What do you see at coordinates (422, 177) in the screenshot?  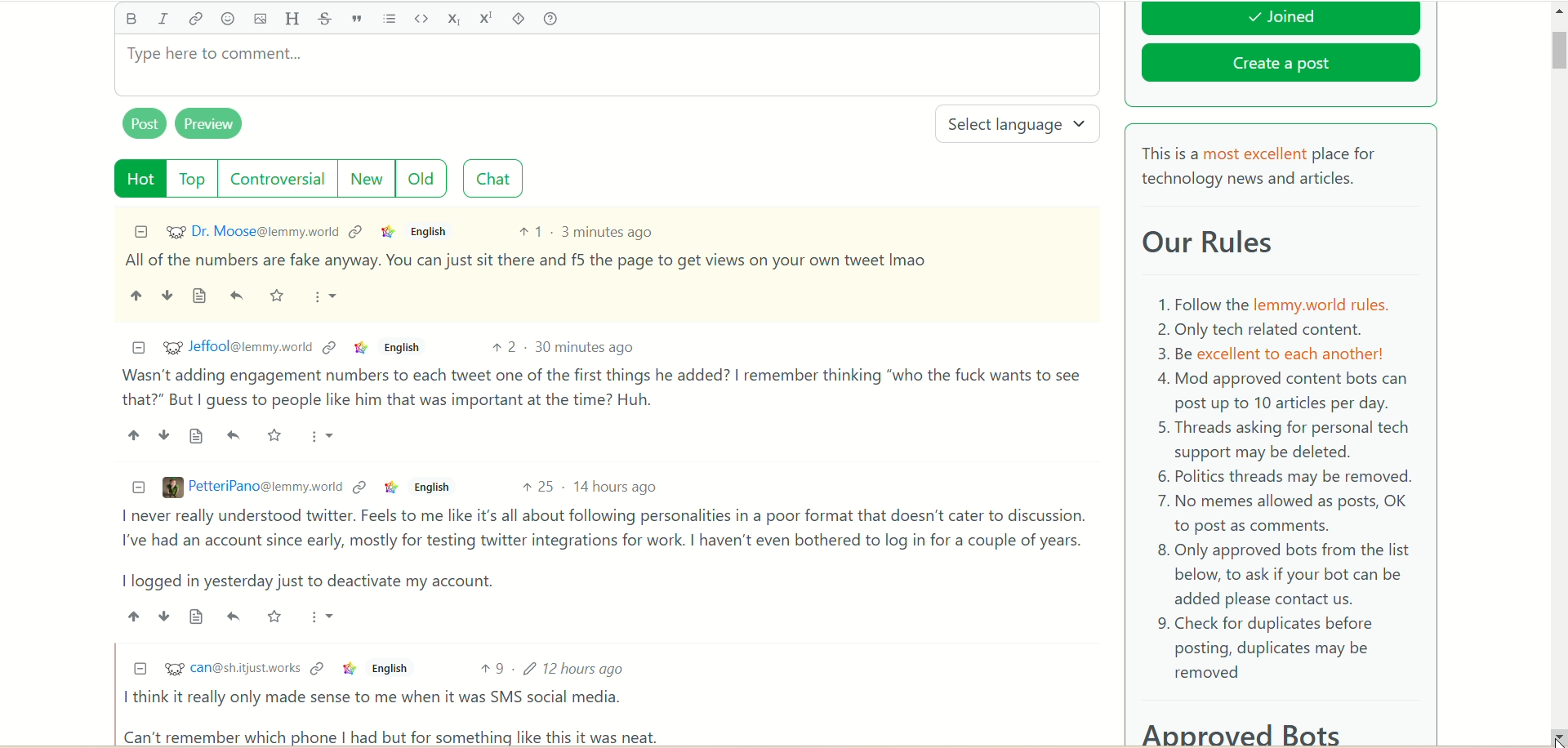 I see `old` at bounding box center [422, 177].